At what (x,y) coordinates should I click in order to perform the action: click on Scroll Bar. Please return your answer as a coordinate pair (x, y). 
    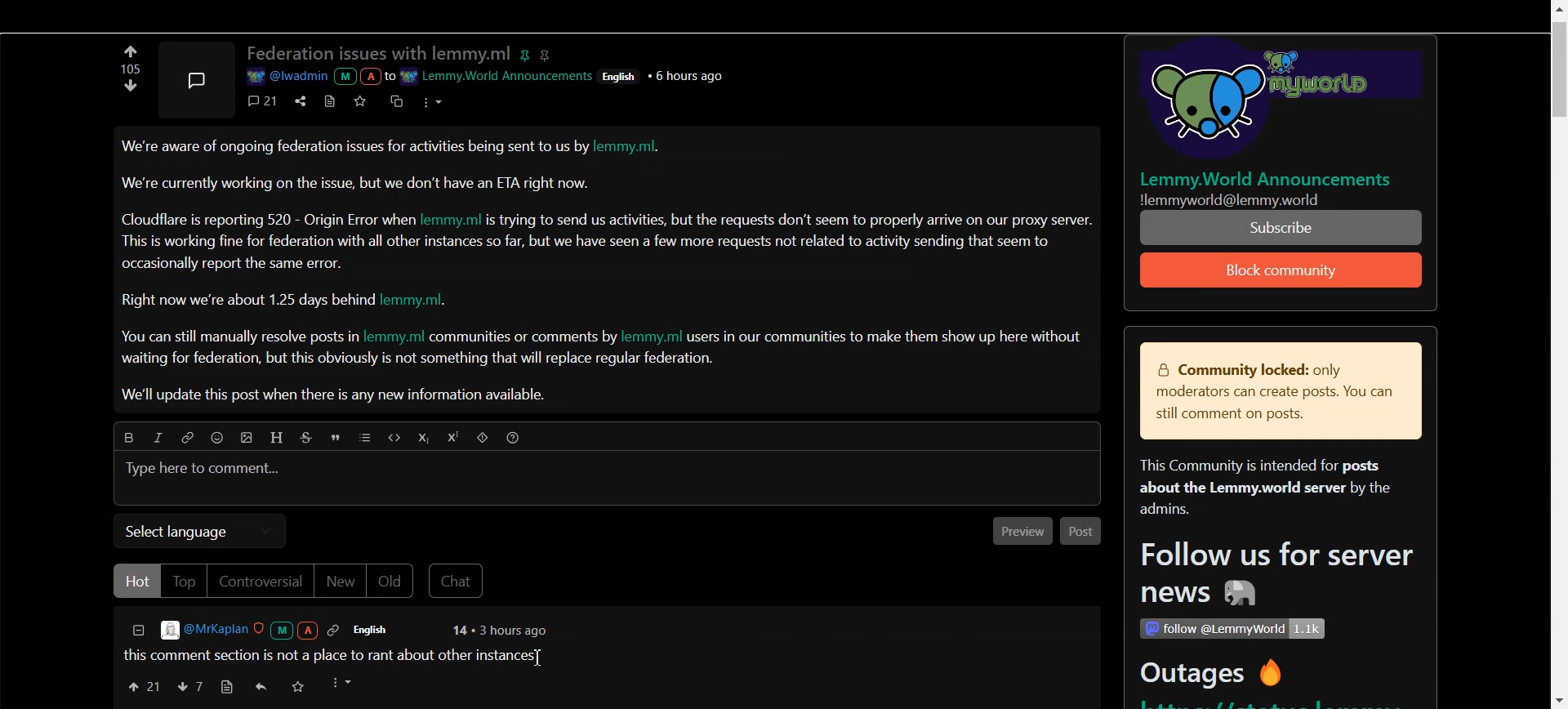
    Looking at the image, I should click on (1557, 354).